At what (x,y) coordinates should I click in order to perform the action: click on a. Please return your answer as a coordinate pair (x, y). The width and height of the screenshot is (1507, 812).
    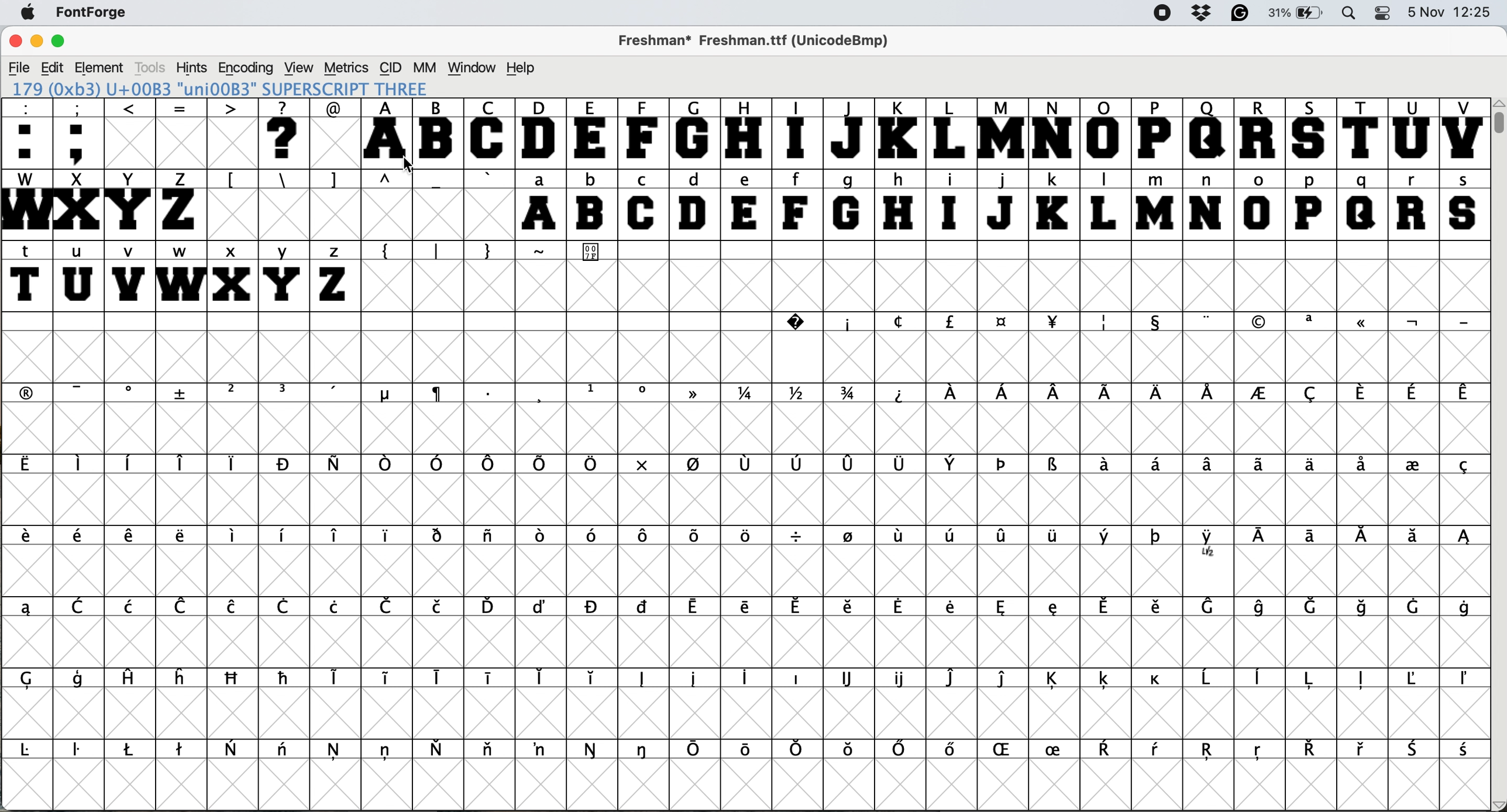
    Looking at the image, I should click on (541, 204).